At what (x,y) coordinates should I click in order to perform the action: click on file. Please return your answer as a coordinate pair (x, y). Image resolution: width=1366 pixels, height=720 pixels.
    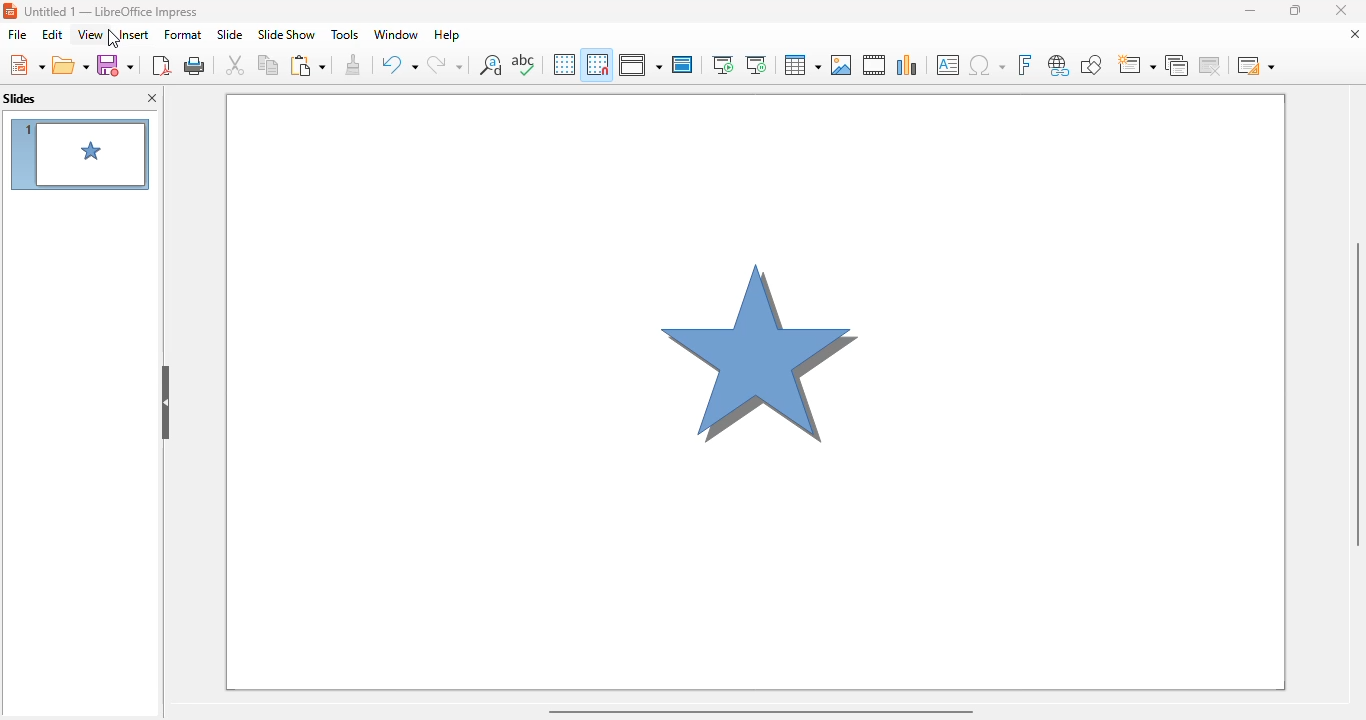
    Looking at the image, I should click on (18, 34).